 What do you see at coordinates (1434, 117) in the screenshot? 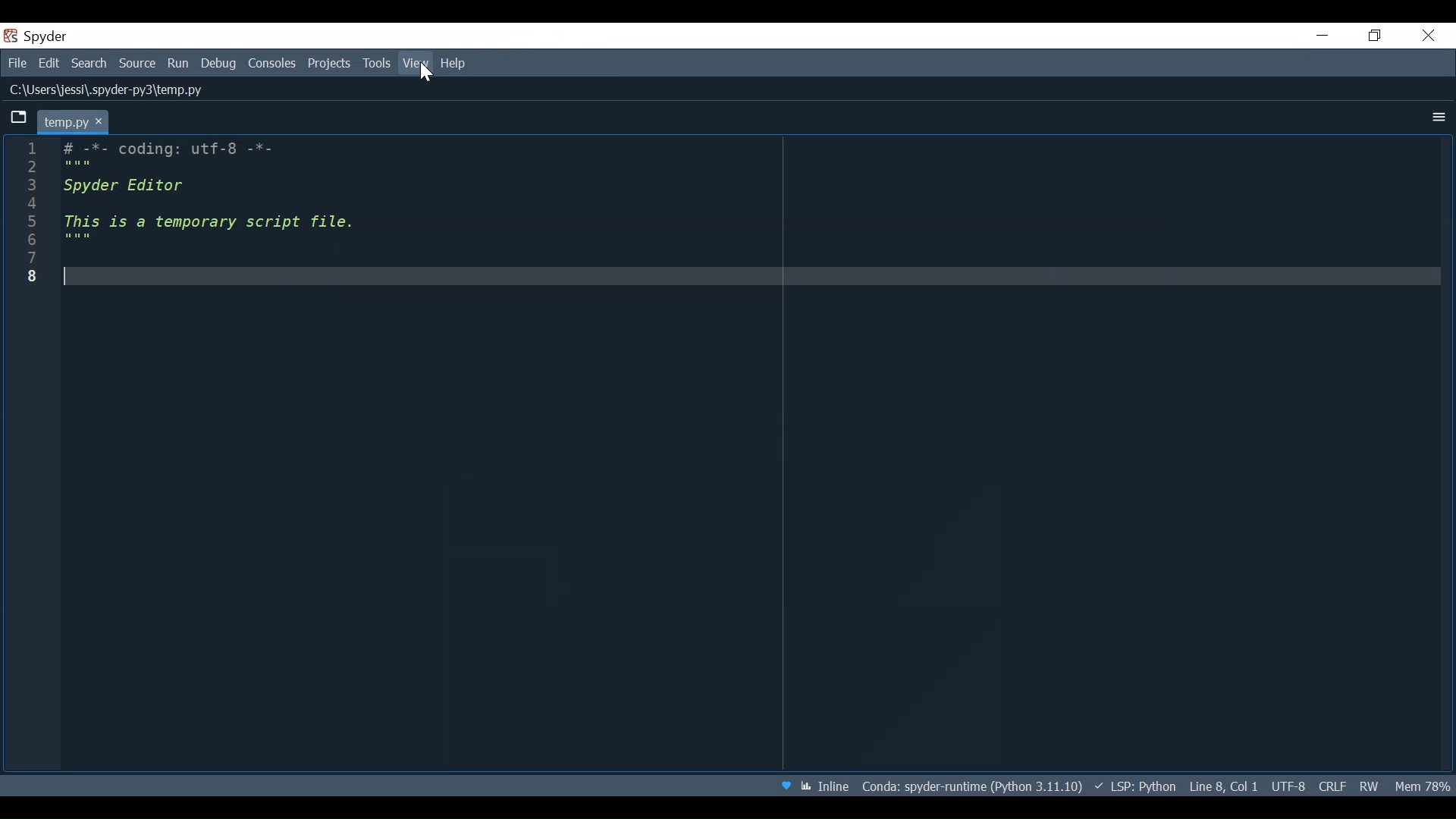
I see `More Options` at bounding box center [1434, 117].